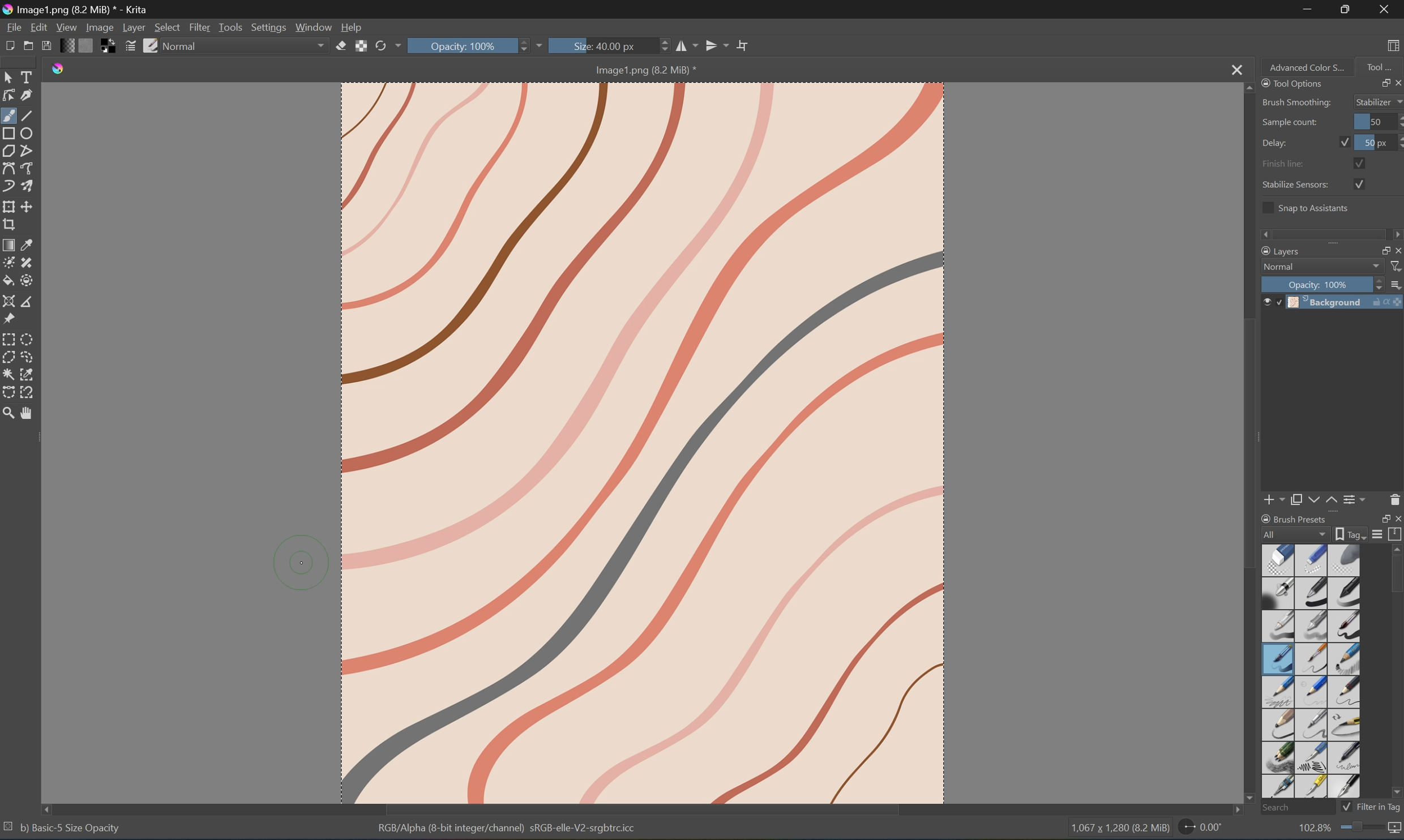 The height and width of the screenshot is (840, 1404). I want to click on Wrap Around, so click(745, 44).